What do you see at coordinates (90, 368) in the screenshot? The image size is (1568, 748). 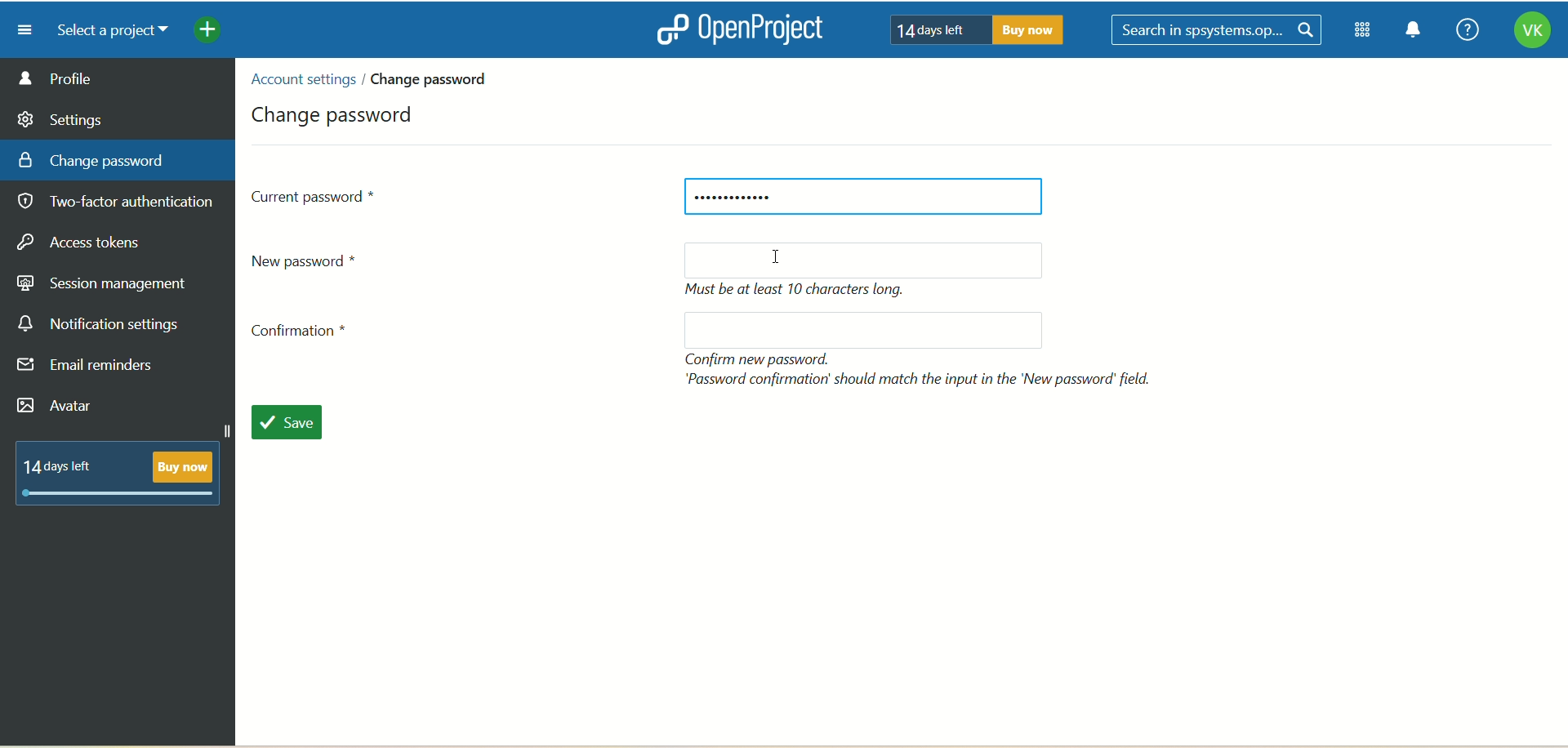 I see `email reminders` at bounding box center [90, 368].